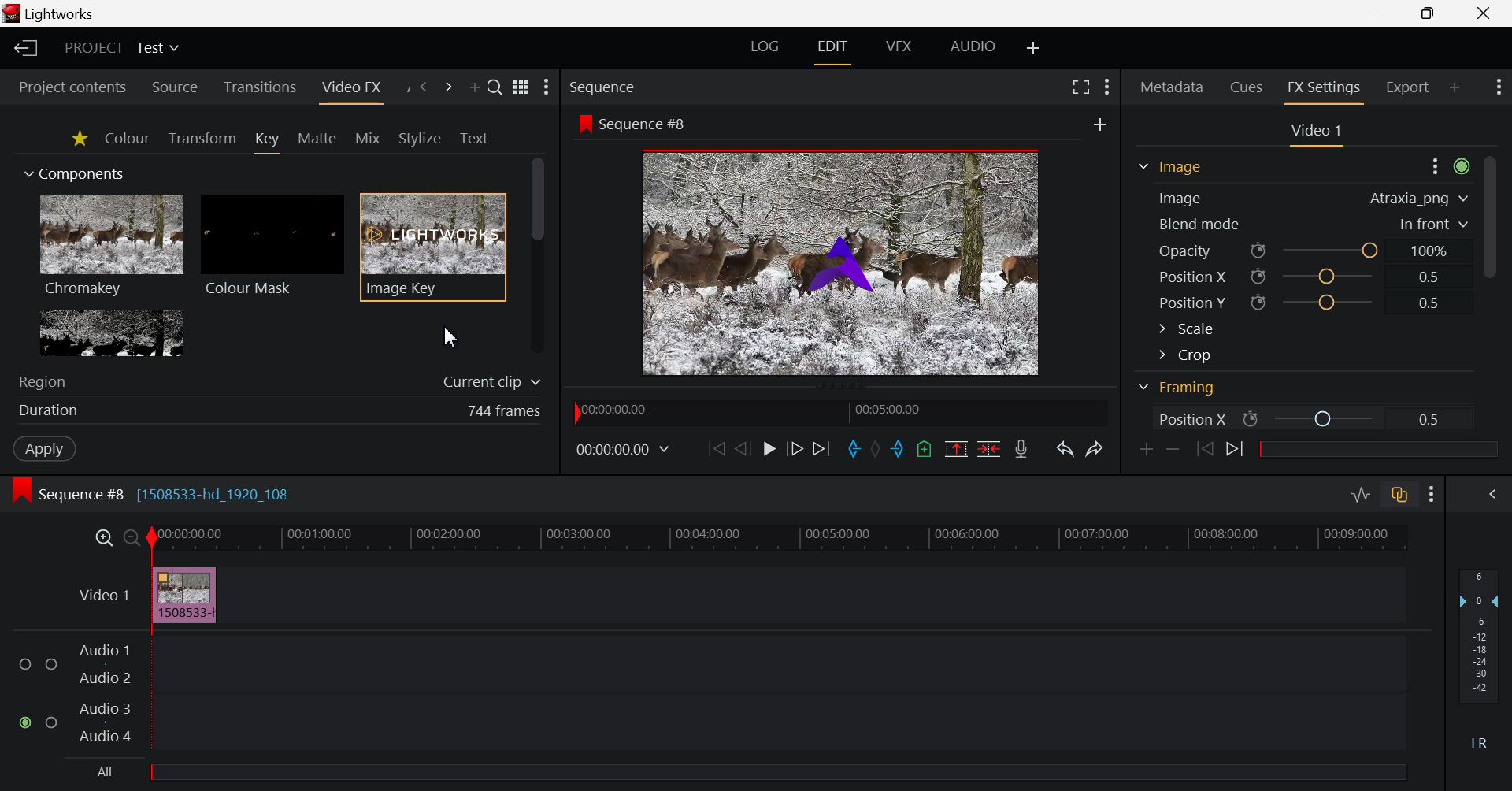 This screenshot has width=1512, height=791. Describe the element at coordinates (106, 709) in the screenshot. I see `Audio 3` at that location.